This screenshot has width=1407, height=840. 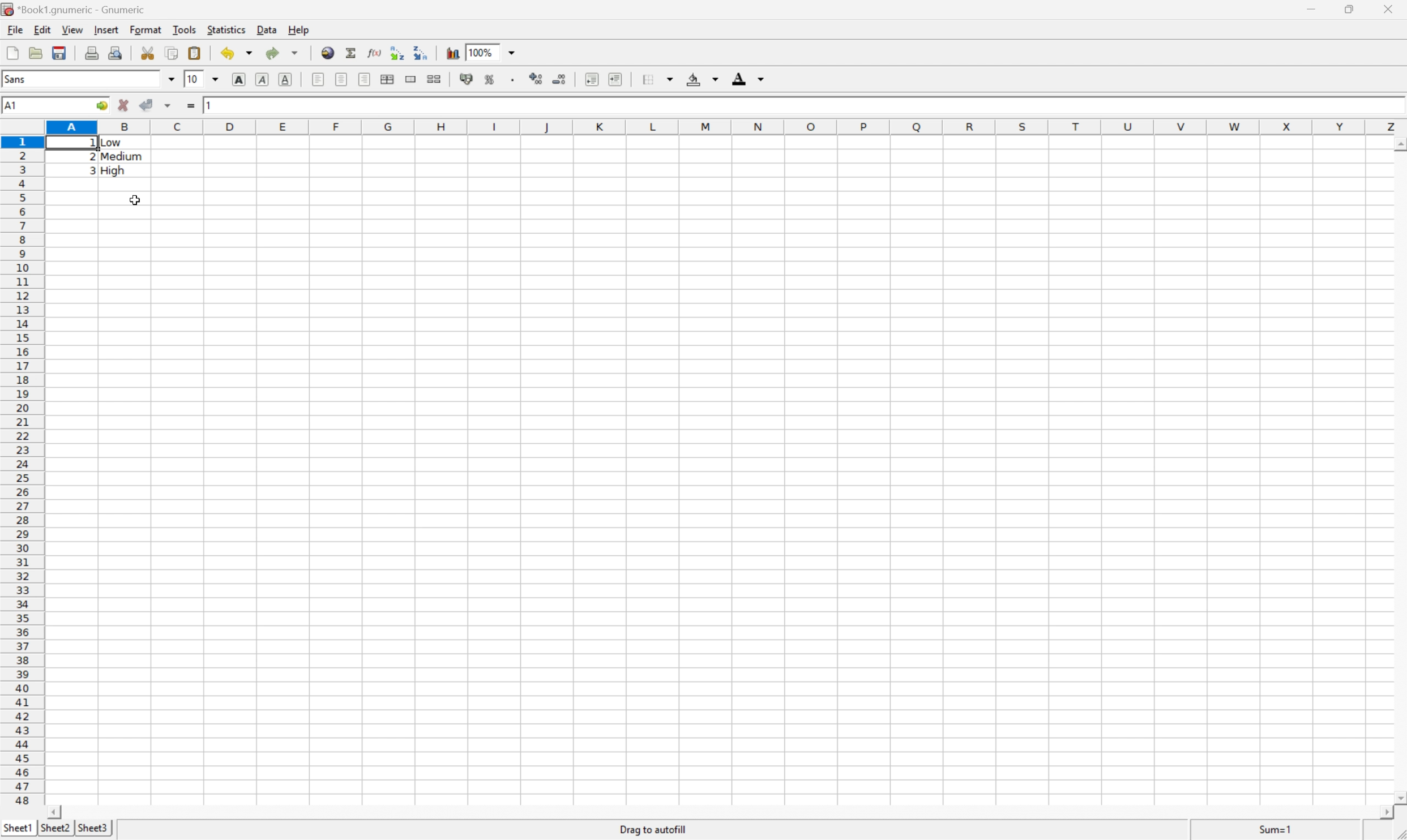 I want to click on High, so click(x=117, y=170).